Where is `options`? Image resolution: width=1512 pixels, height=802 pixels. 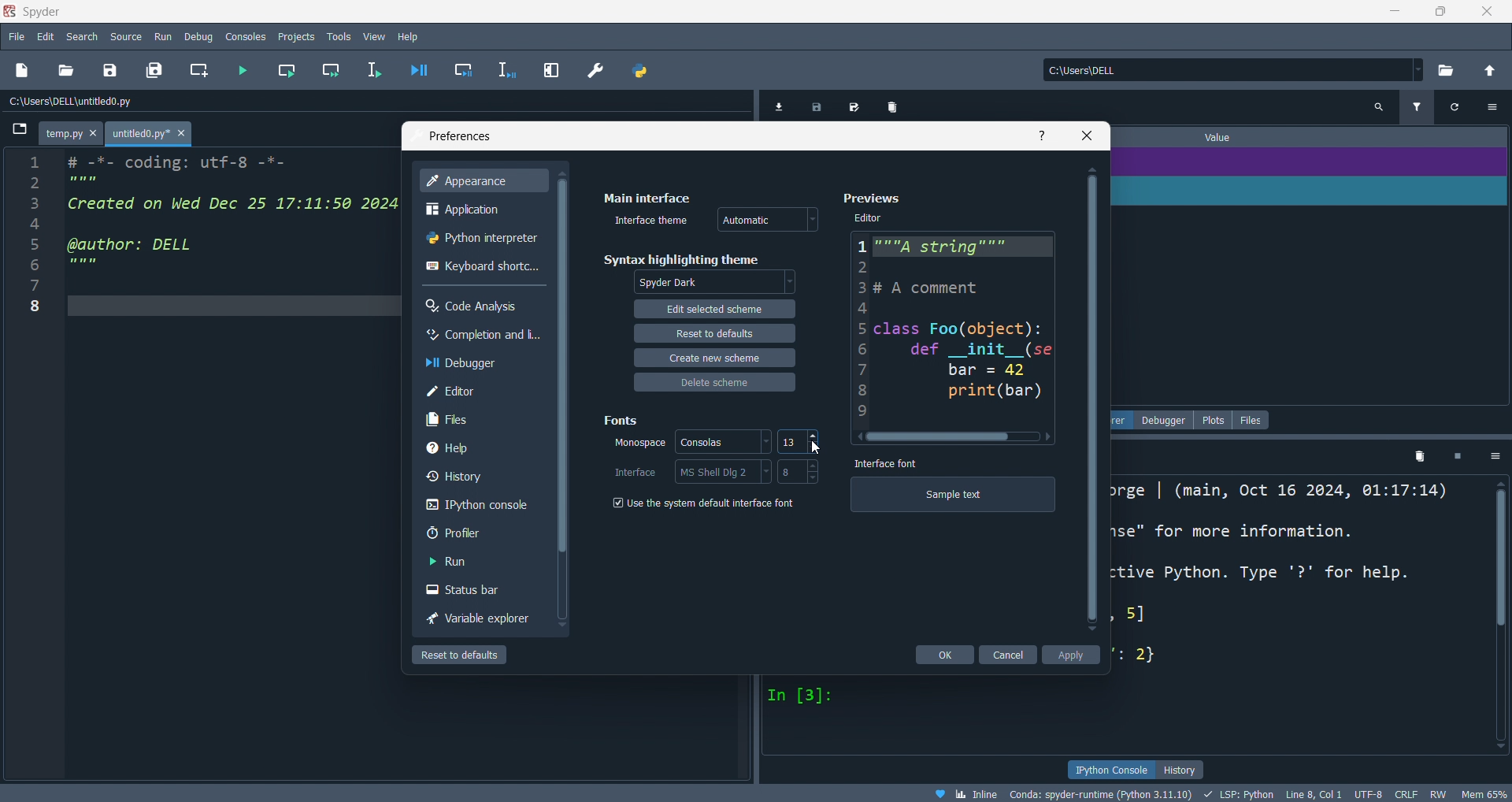 options is located at coordinates (1497, 456).